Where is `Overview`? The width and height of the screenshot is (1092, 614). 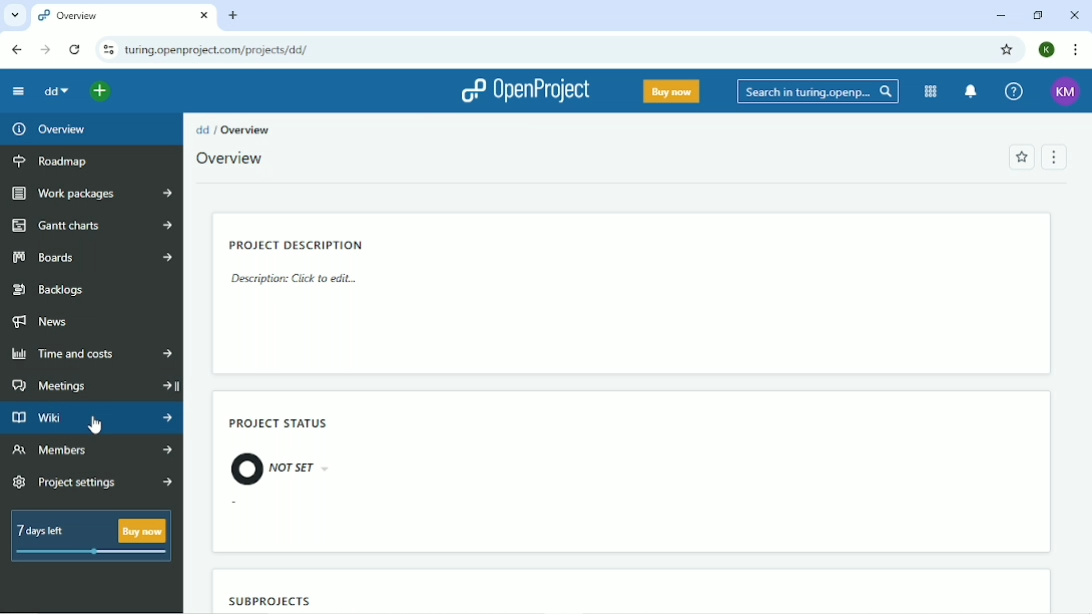
Overview is located at coordinates (249, 129).